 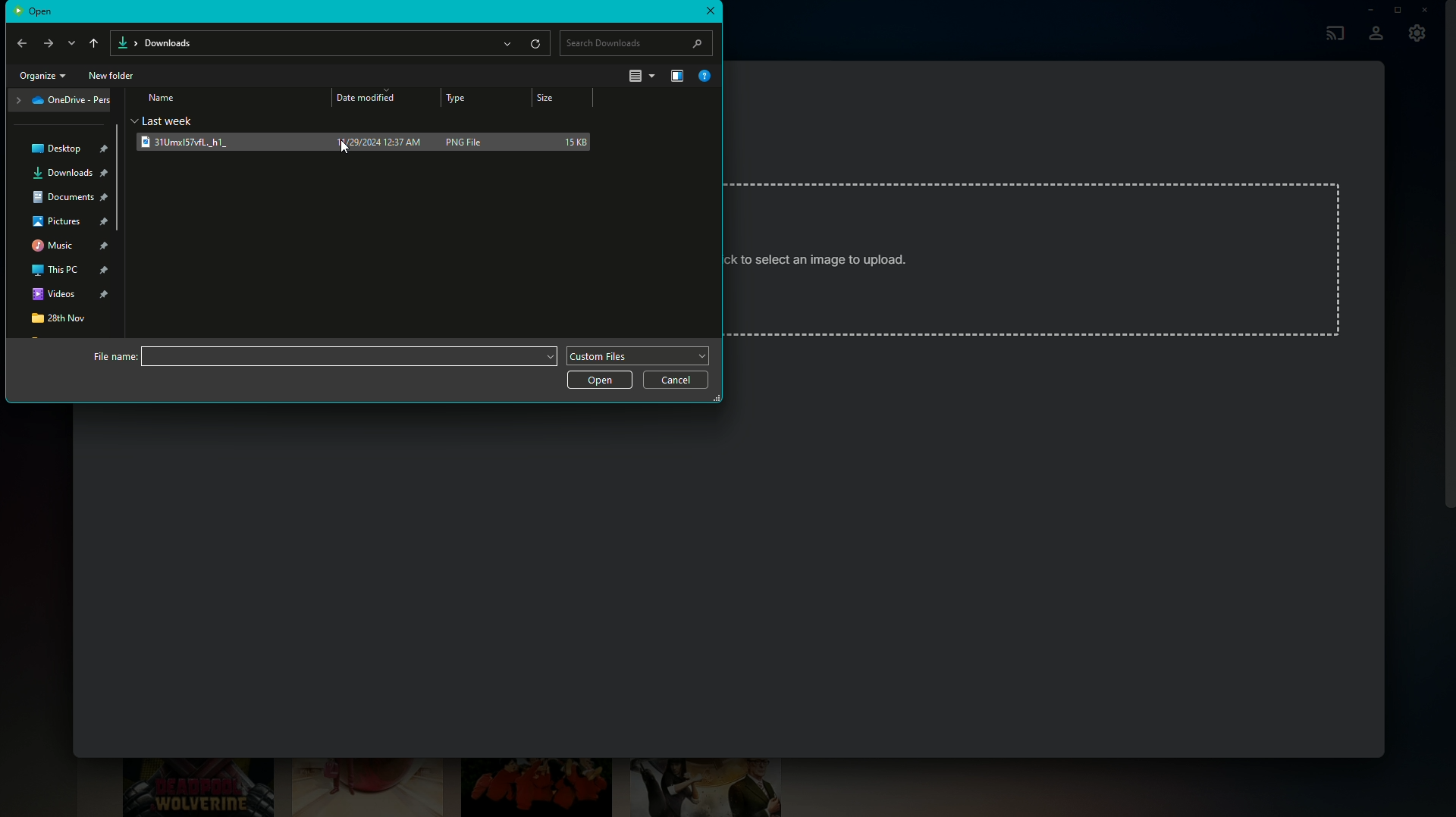 What do you see at coordinates (36, 11) in the screenshot?
I see `` at bounding box center [36, 11].